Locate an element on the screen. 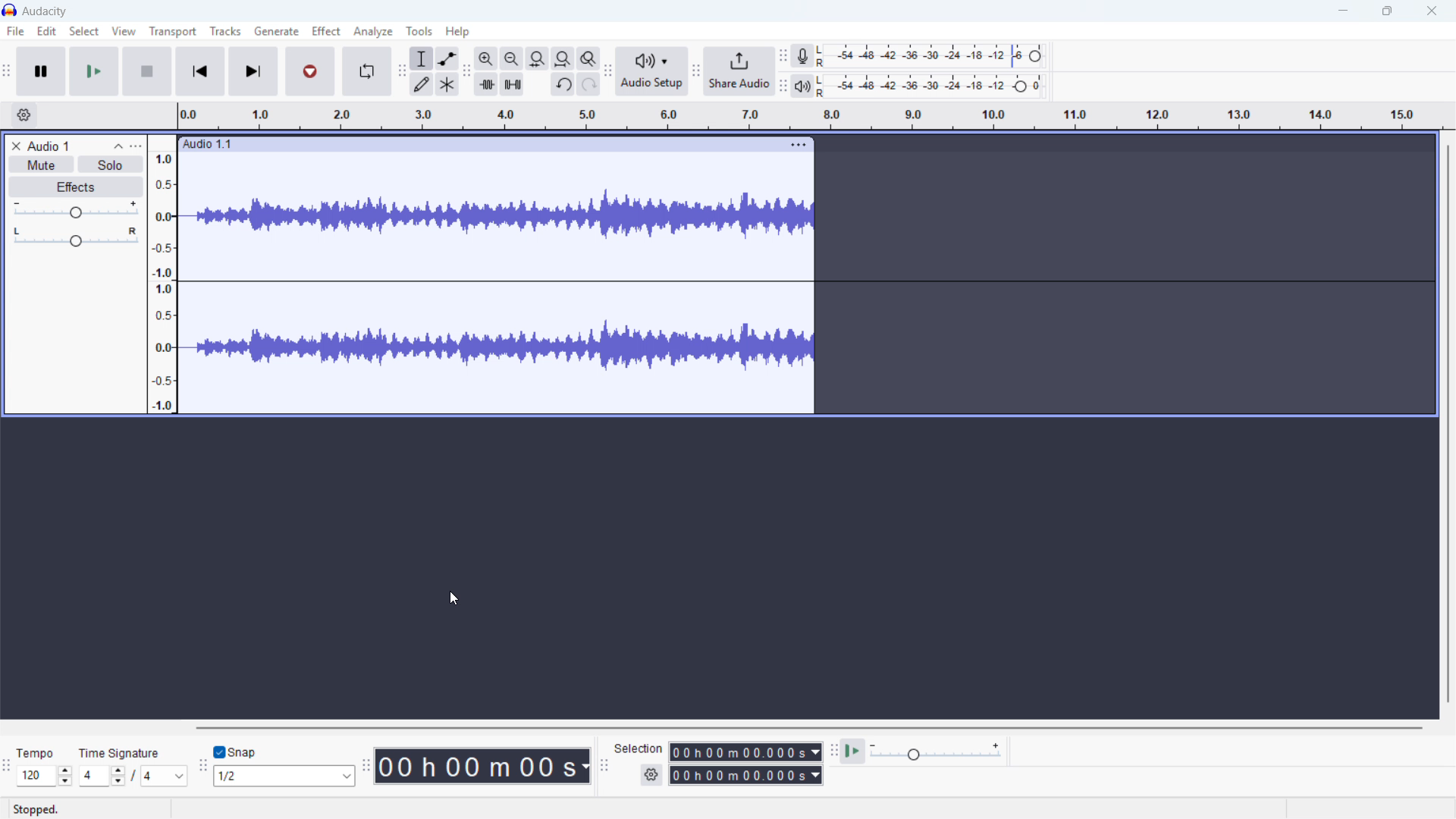 This screenshot has width=1456, height=819. stop  is located at coordinates (147, 71).